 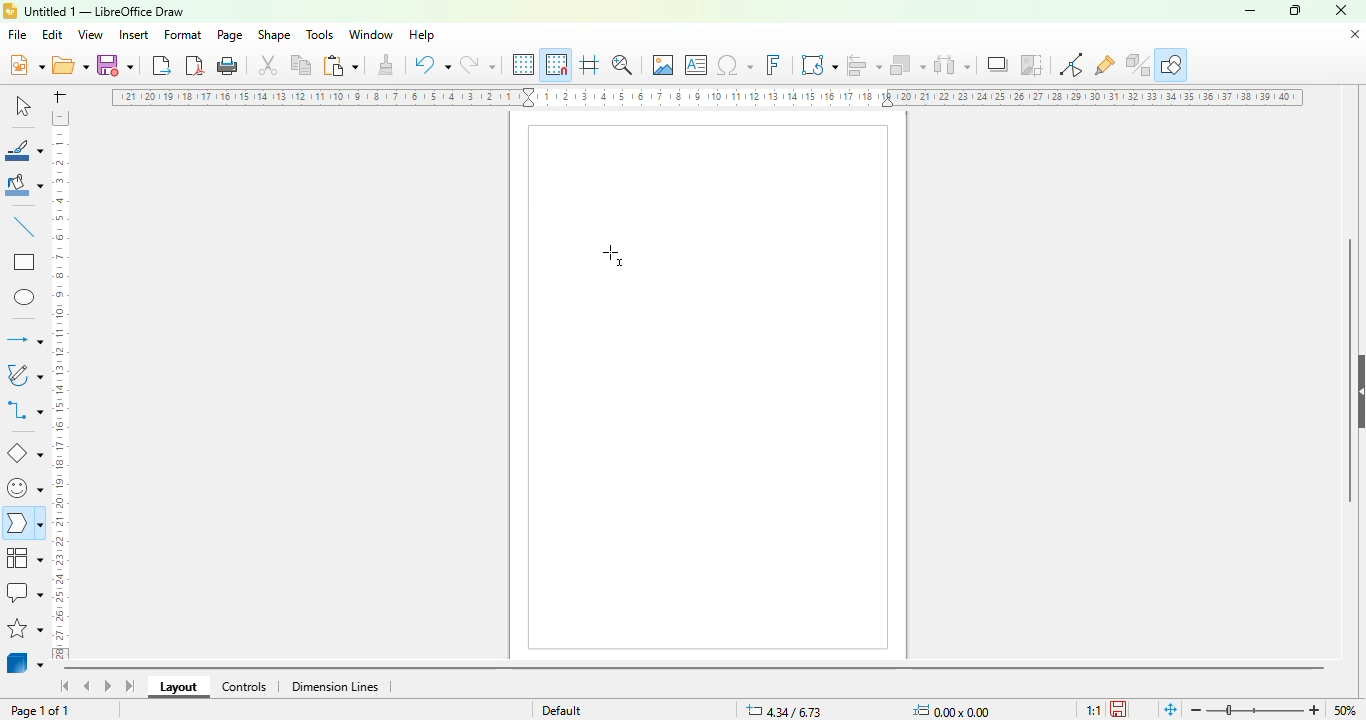 I want to click on calllout shapes, so click(x=24, y=592).